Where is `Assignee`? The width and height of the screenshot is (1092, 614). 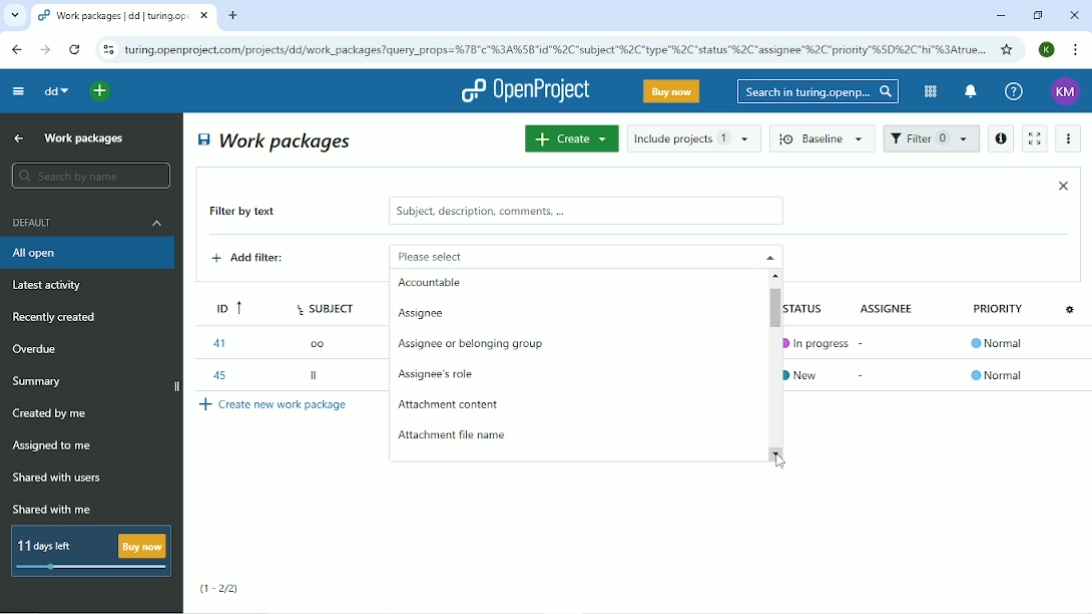 Assignee is located at coordinates (426, 313).